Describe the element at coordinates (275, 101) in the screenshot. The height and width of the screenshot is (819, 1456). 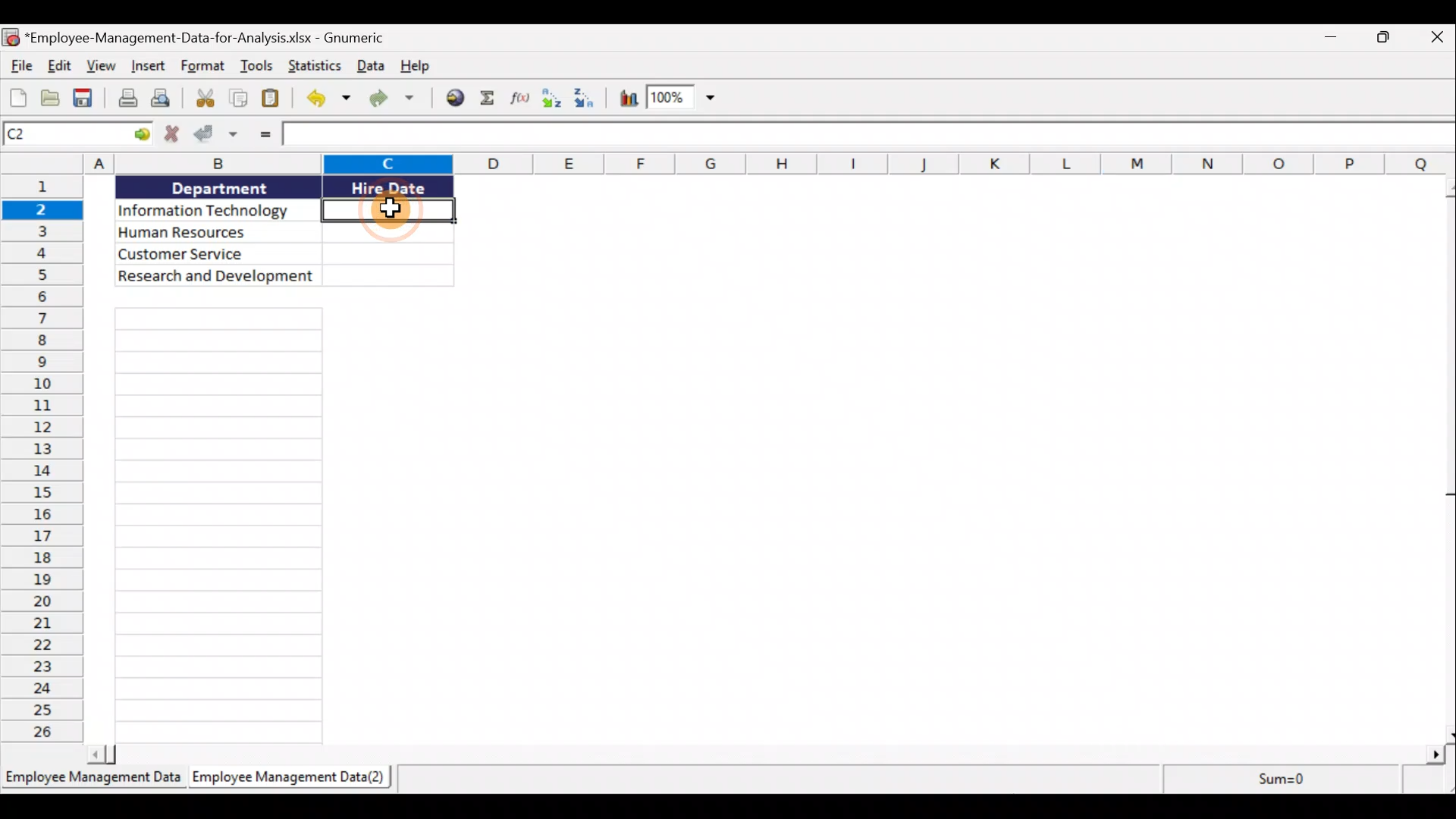
I see `Paste clipboard` at that location.